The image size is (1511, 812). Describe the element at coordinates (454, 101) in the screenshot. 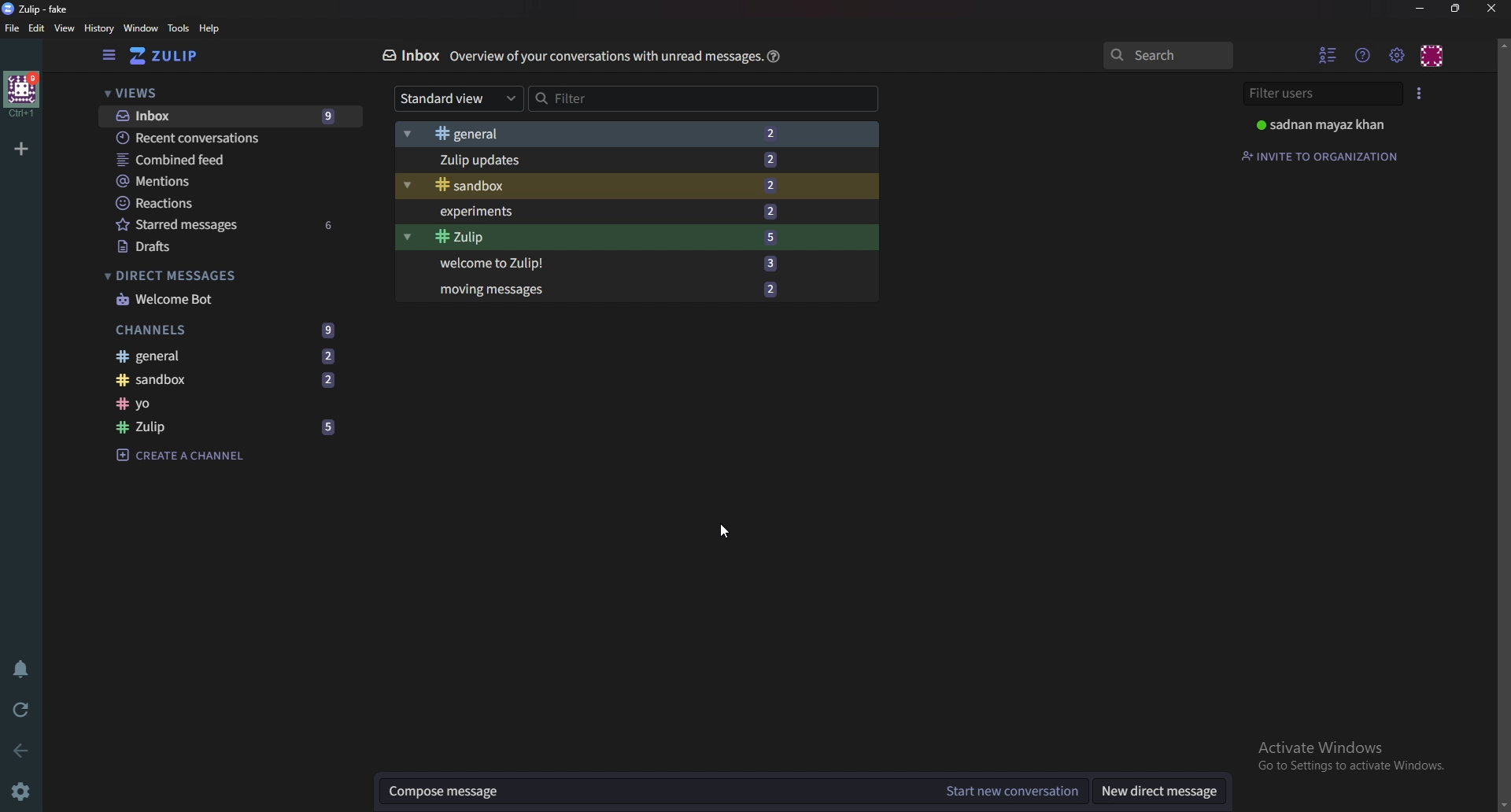

I see `Standard view` at that location.